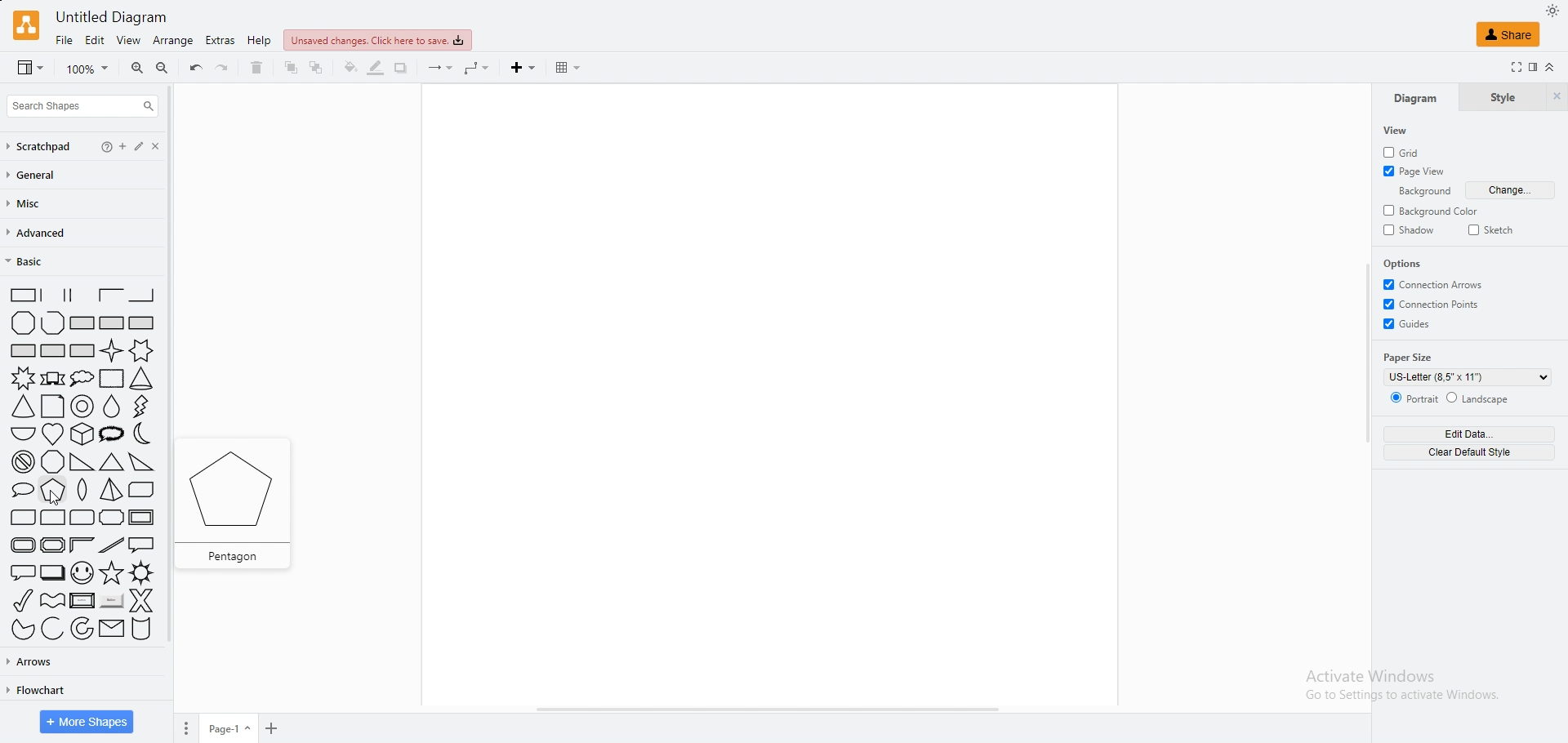  I want to click on vertical scroll bar, so click(1366, 352).